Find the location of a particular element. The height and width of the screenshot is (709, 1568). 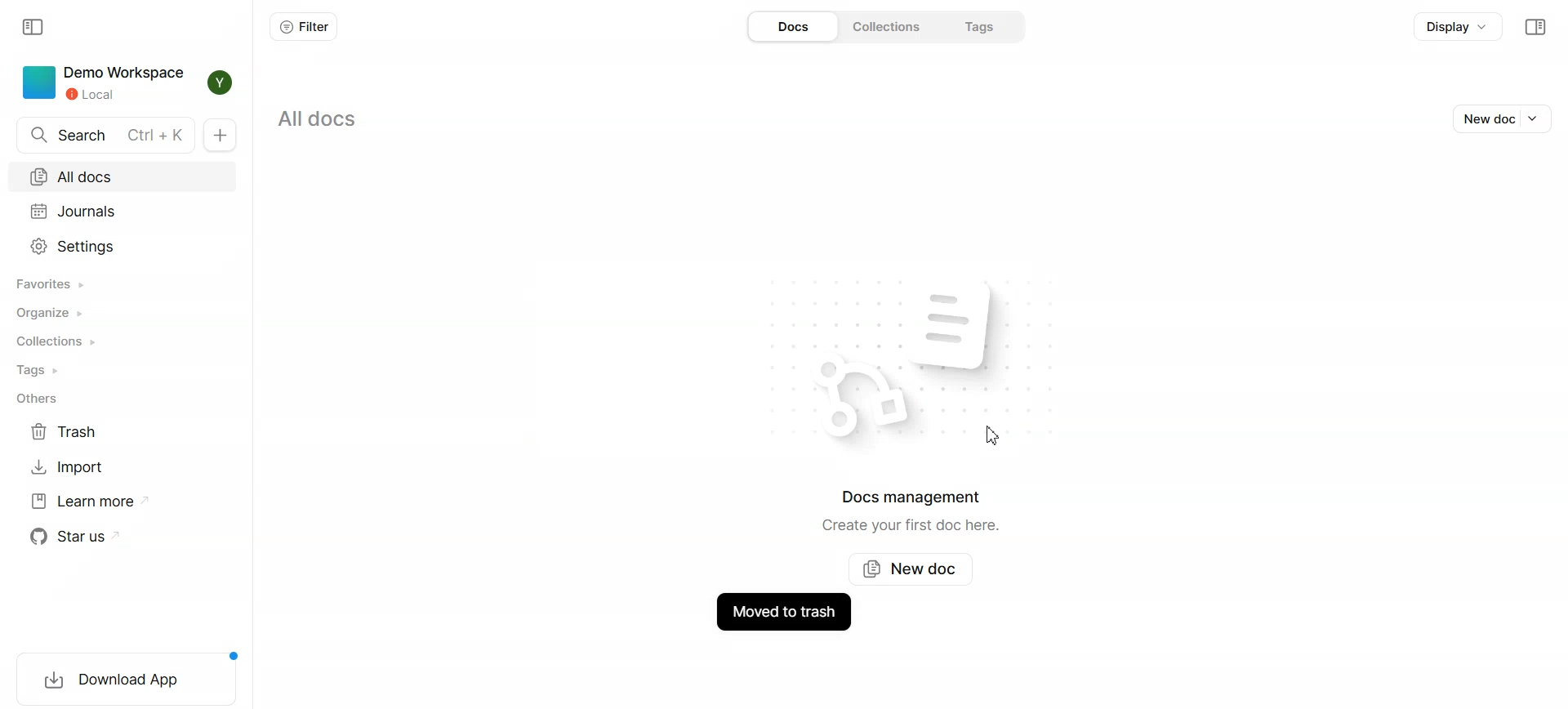

Others is located at coordinates (123, 399).